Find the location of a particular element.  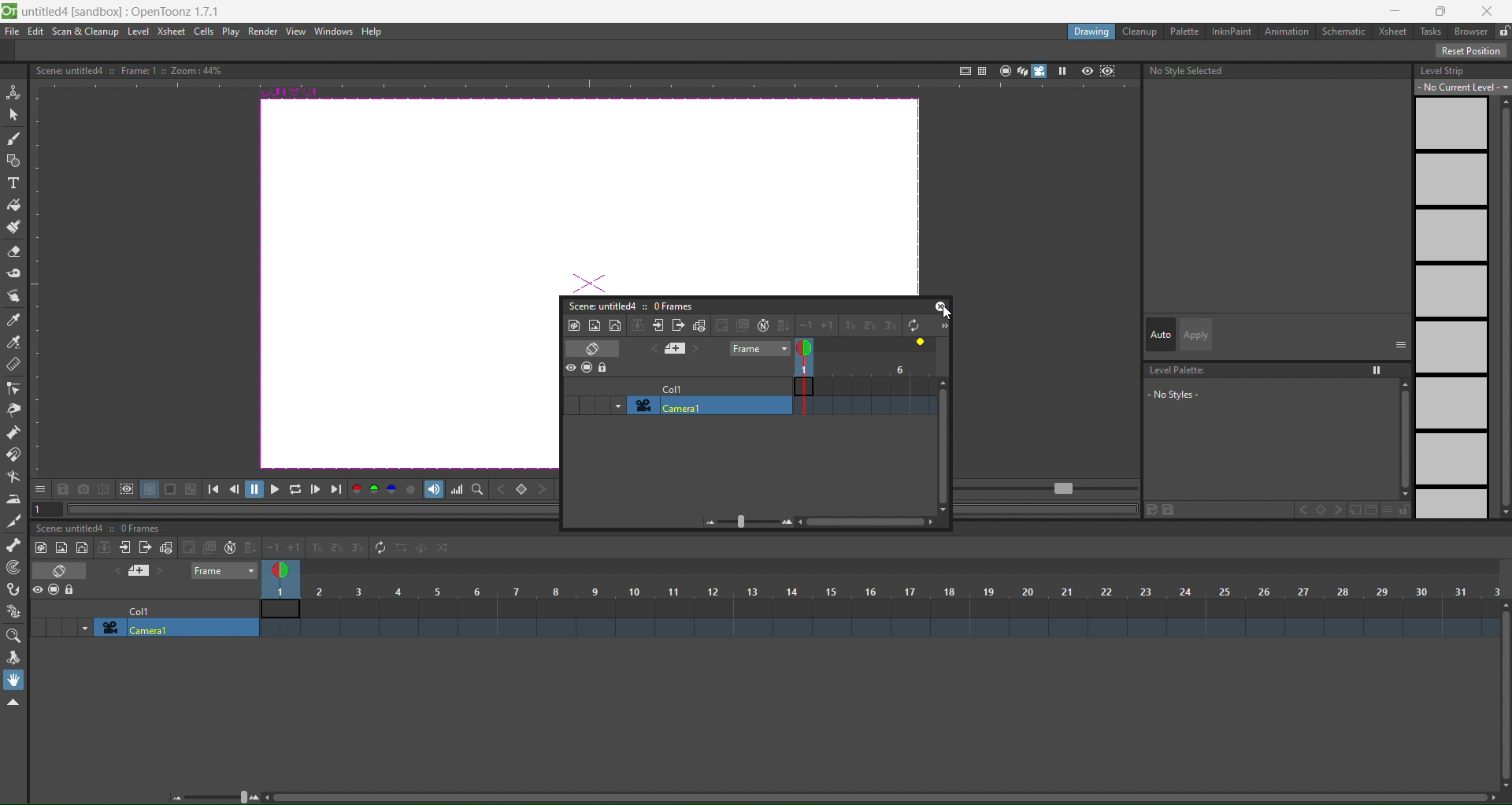

magnifier tool is located at coordinates (17, 636).